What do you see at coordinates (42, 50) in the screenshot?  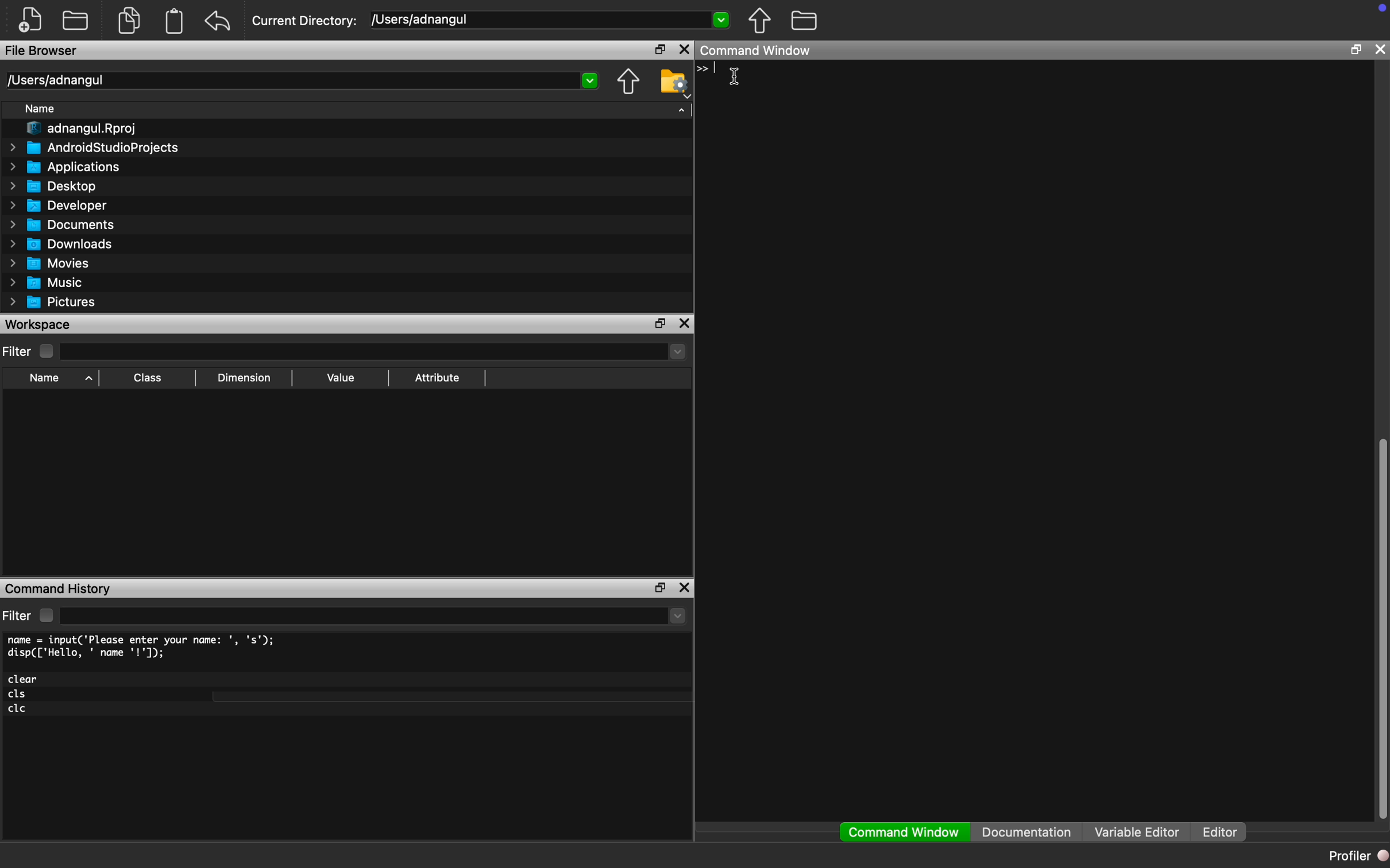 I see `File Browser` at bounding box center [42, 50].